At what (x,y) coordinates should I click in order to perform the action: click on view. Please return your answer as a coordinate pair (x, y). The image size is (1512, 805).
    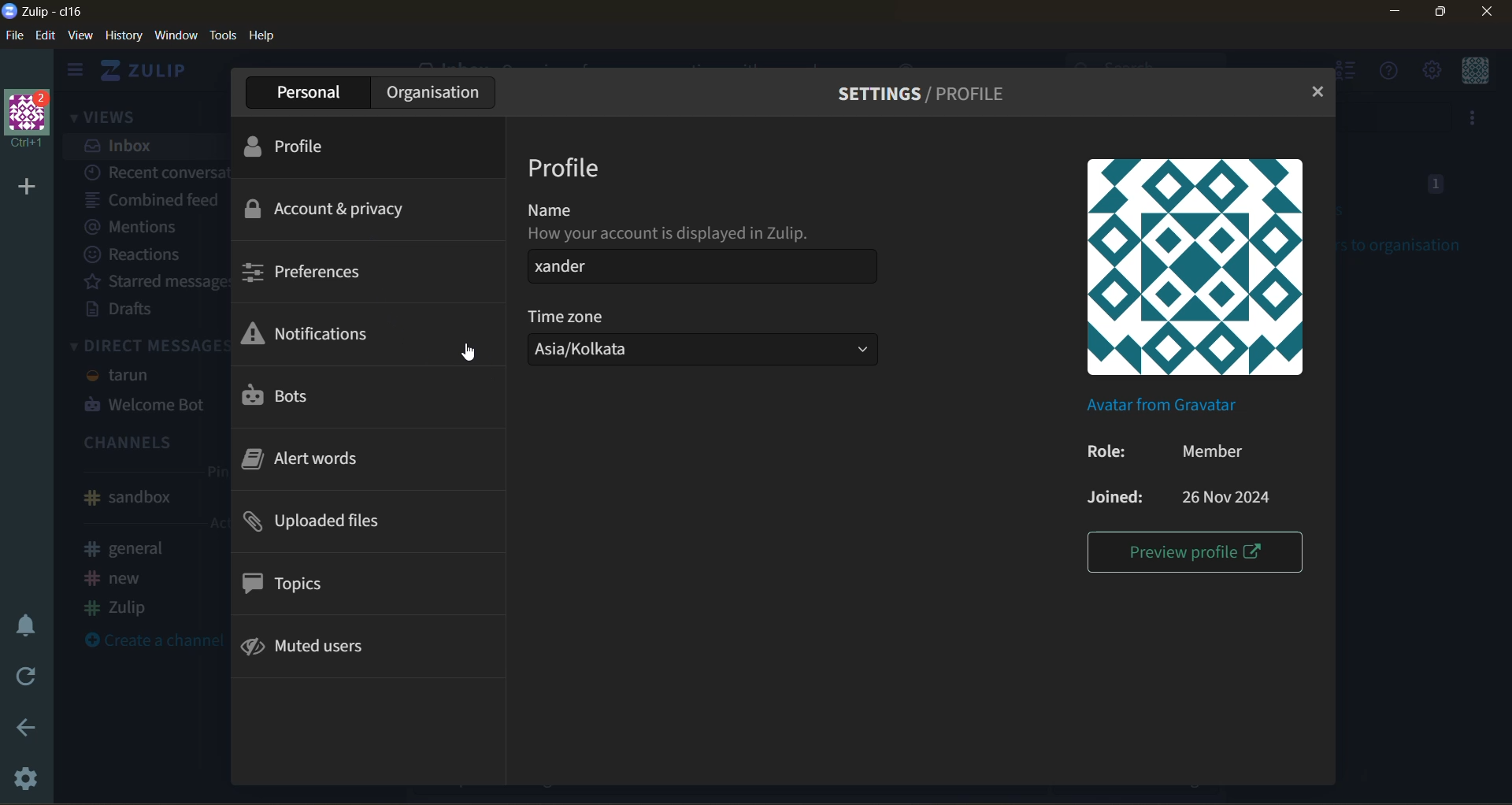
    Looking at the image, I should click on (81, 36).